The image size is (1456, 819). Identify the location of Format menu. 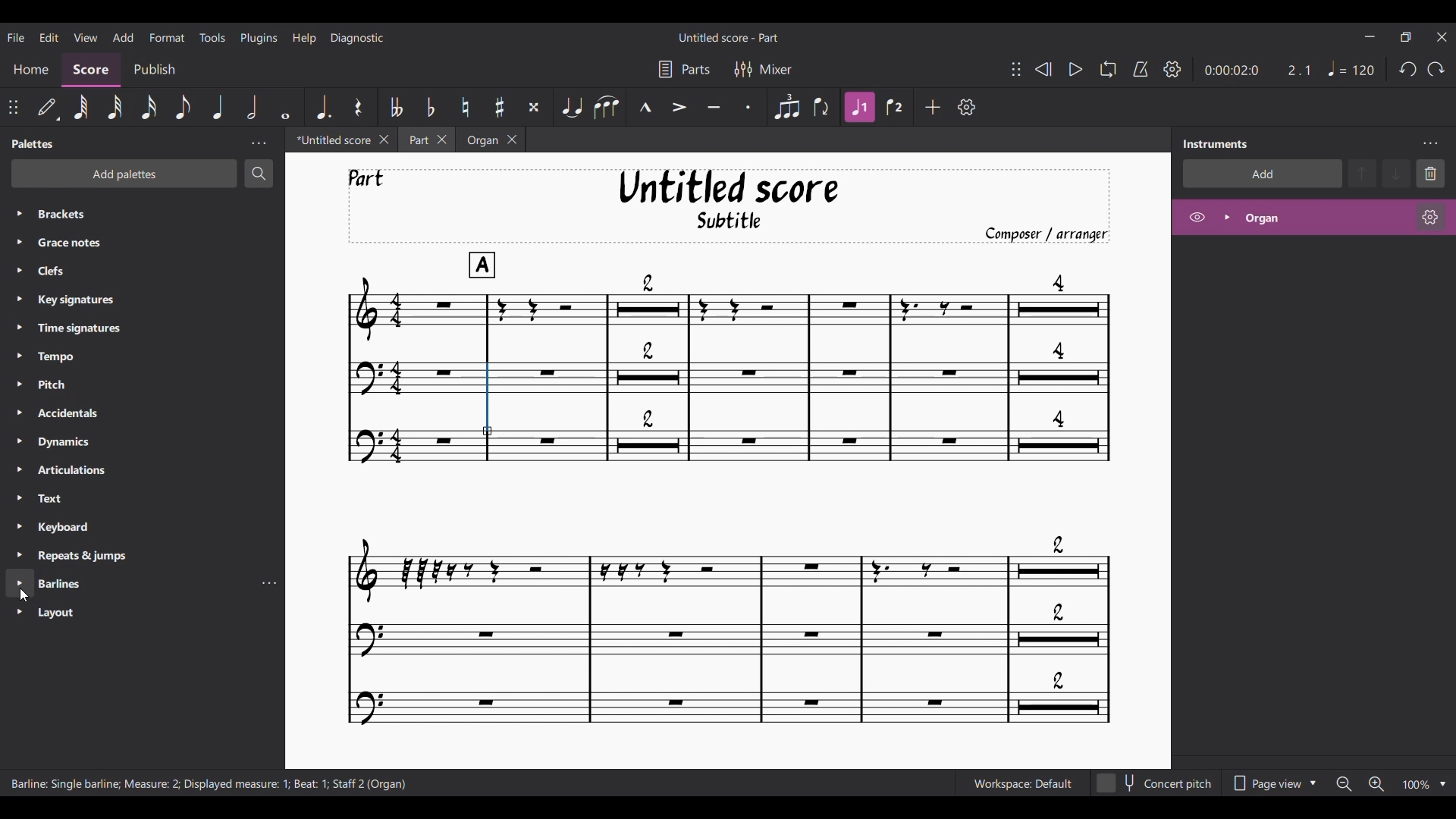
(168, 37).